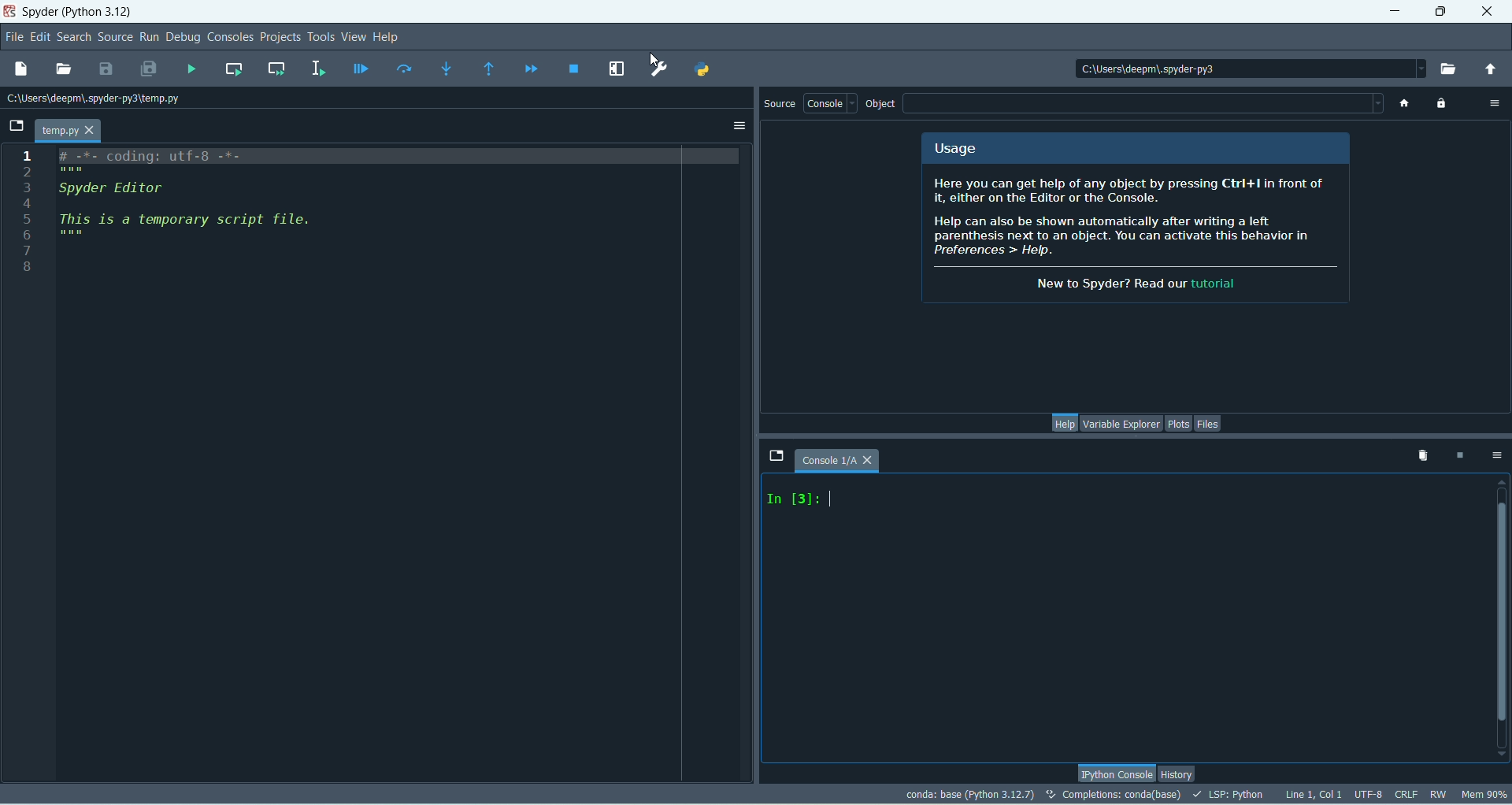  What do you see at coordinates (356, 37) in the screenshot?
I see `view` at bounding box center [356, 37].